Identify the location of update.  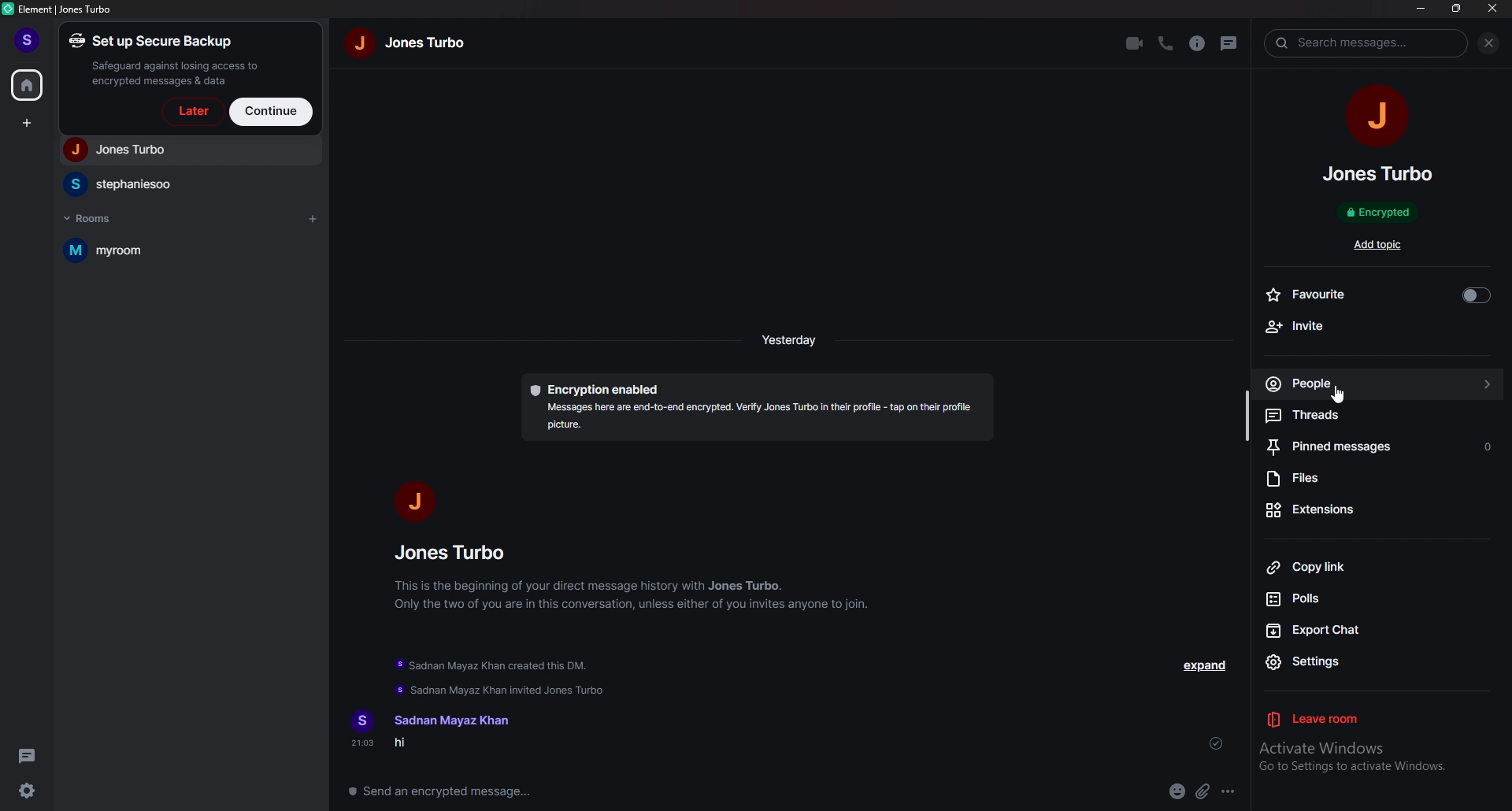
(495, 676).